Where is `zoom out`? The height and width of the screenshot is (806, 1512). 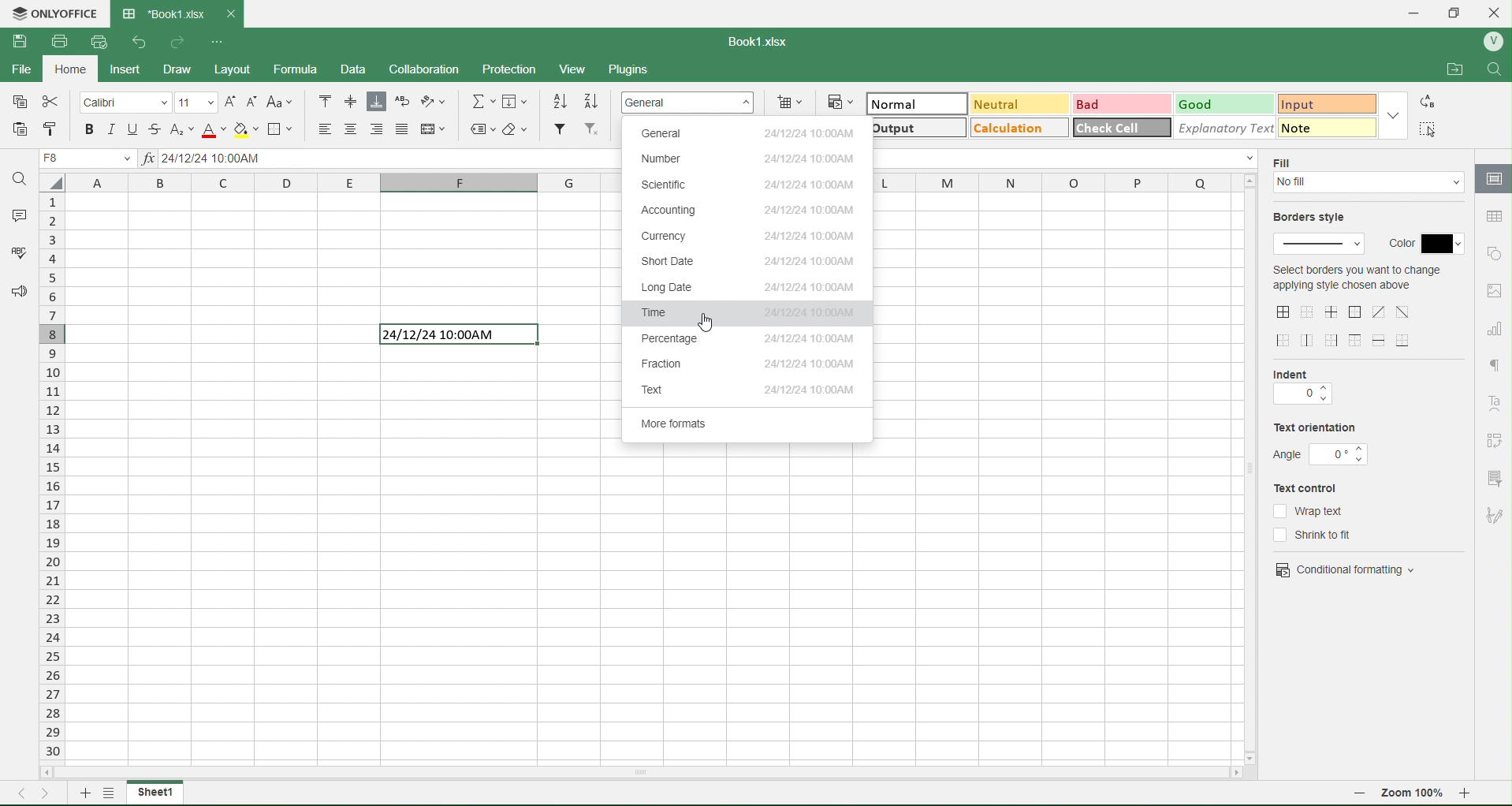 zoom out is located at coordinates (1360, 796).